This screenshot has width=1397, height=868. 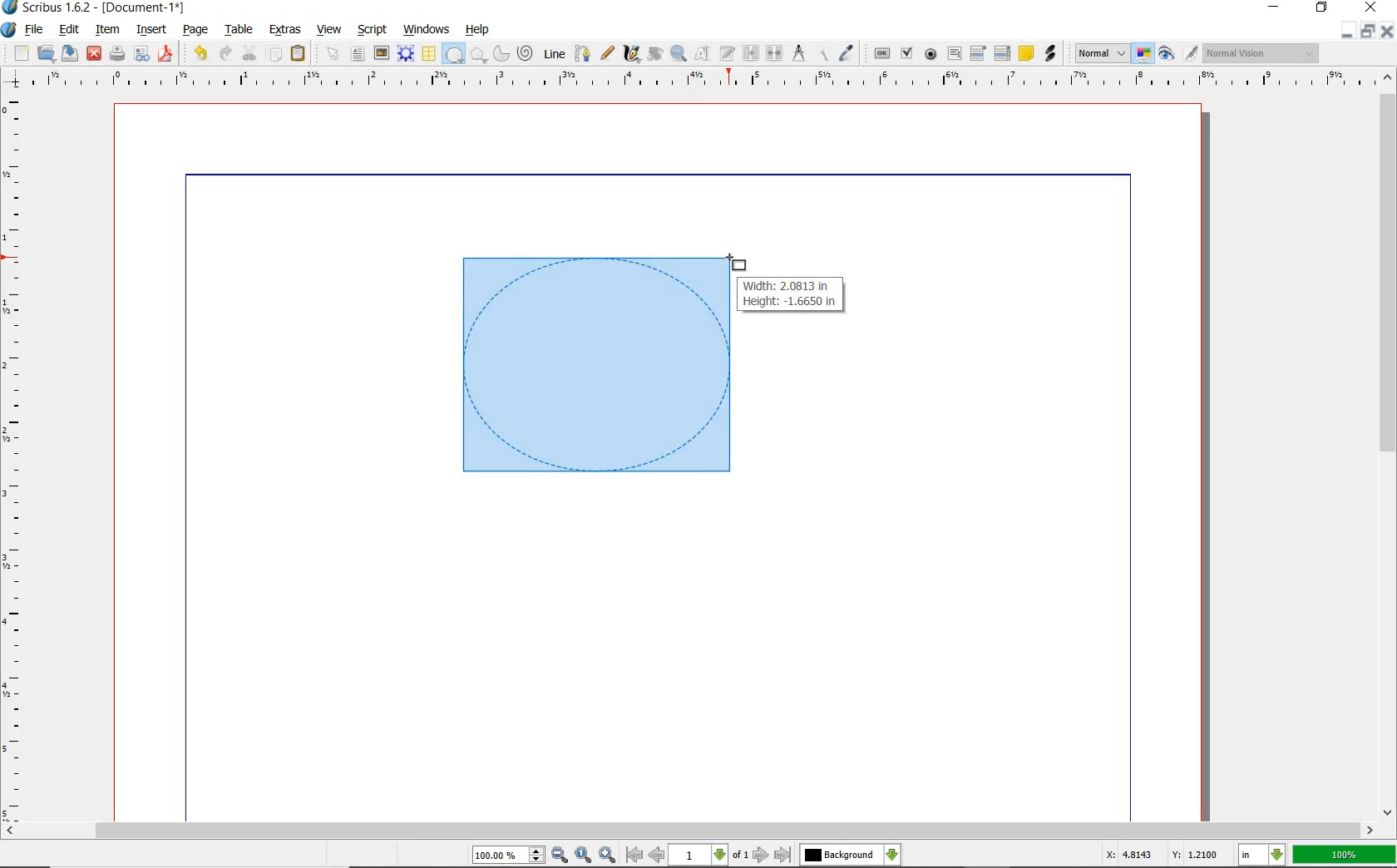 I want to click on UNDO, so click(x=200, y=53).